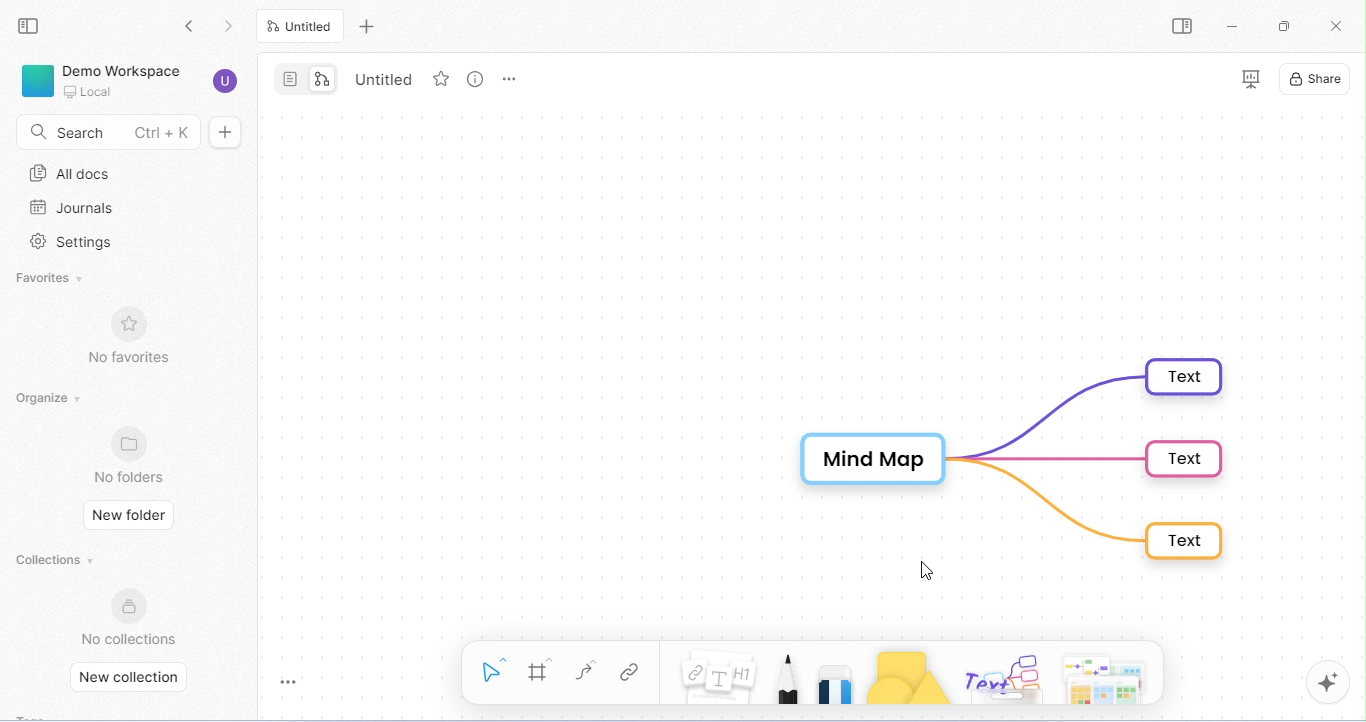 The width and height of the screenshot is (1366, 722). I want to click on edgeless mode, so click(322, 77).